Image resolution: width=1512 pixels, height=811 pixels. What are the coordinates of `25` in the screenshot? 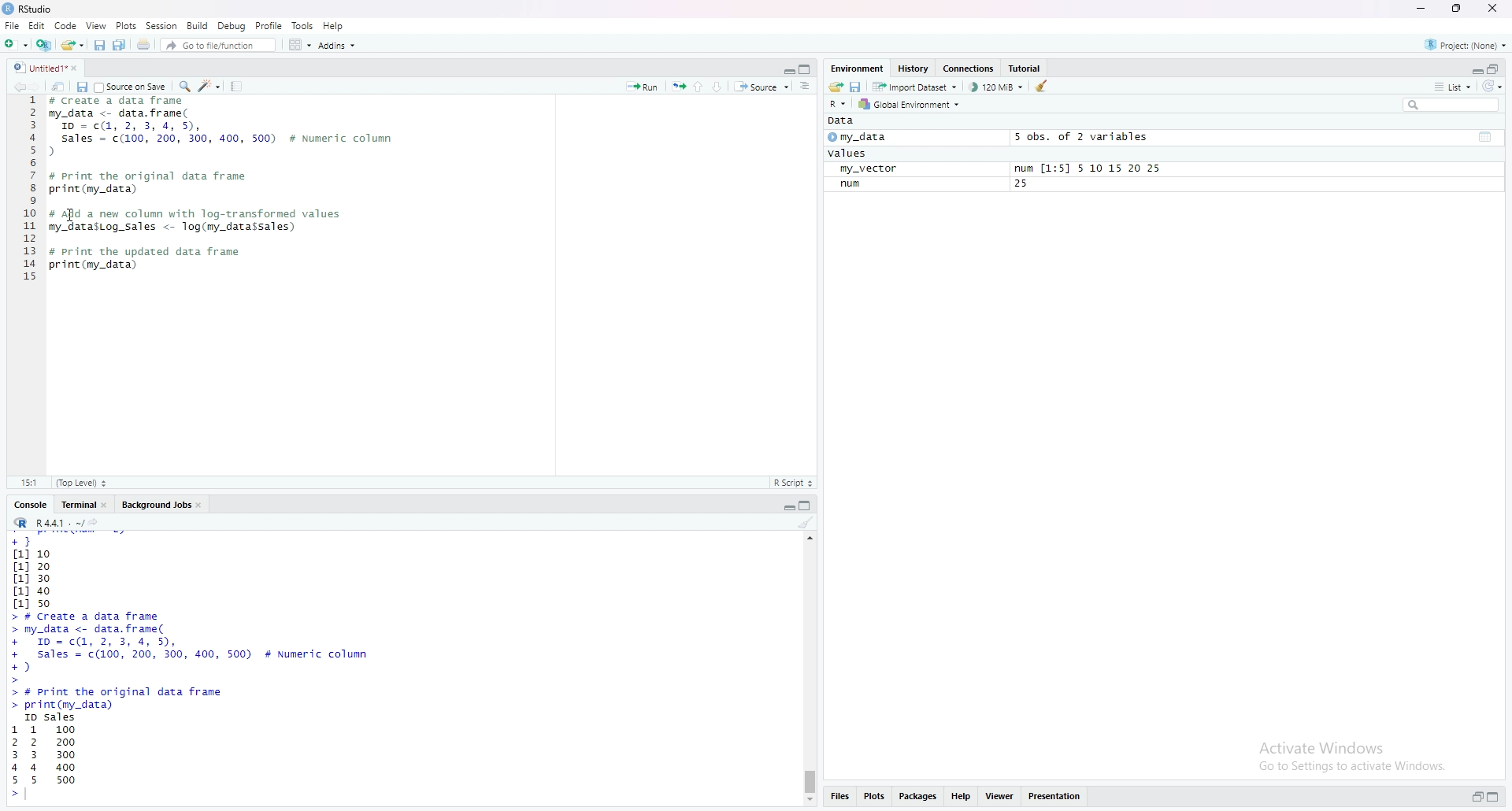 It's located at (1025, 185).